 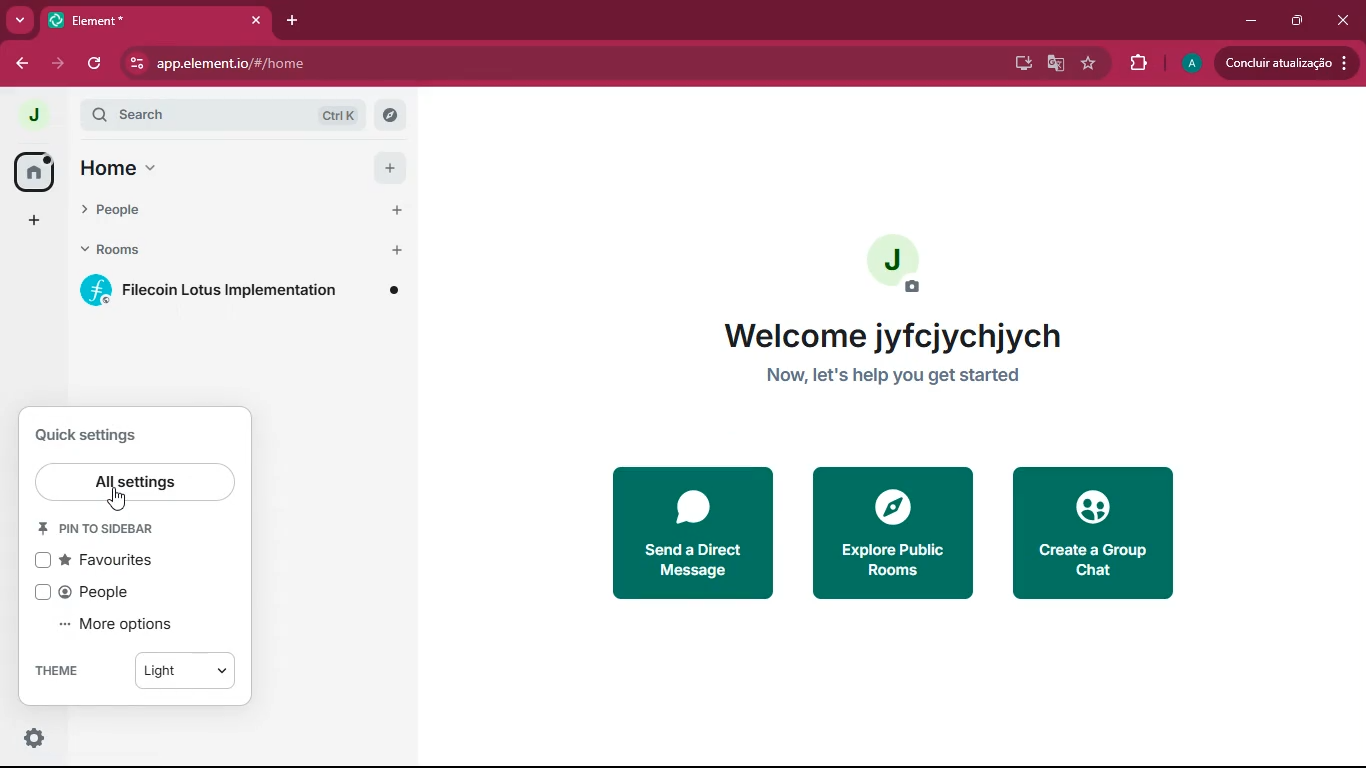 I want to click on filecoin lotus implementation , so click(x=244, y=292).